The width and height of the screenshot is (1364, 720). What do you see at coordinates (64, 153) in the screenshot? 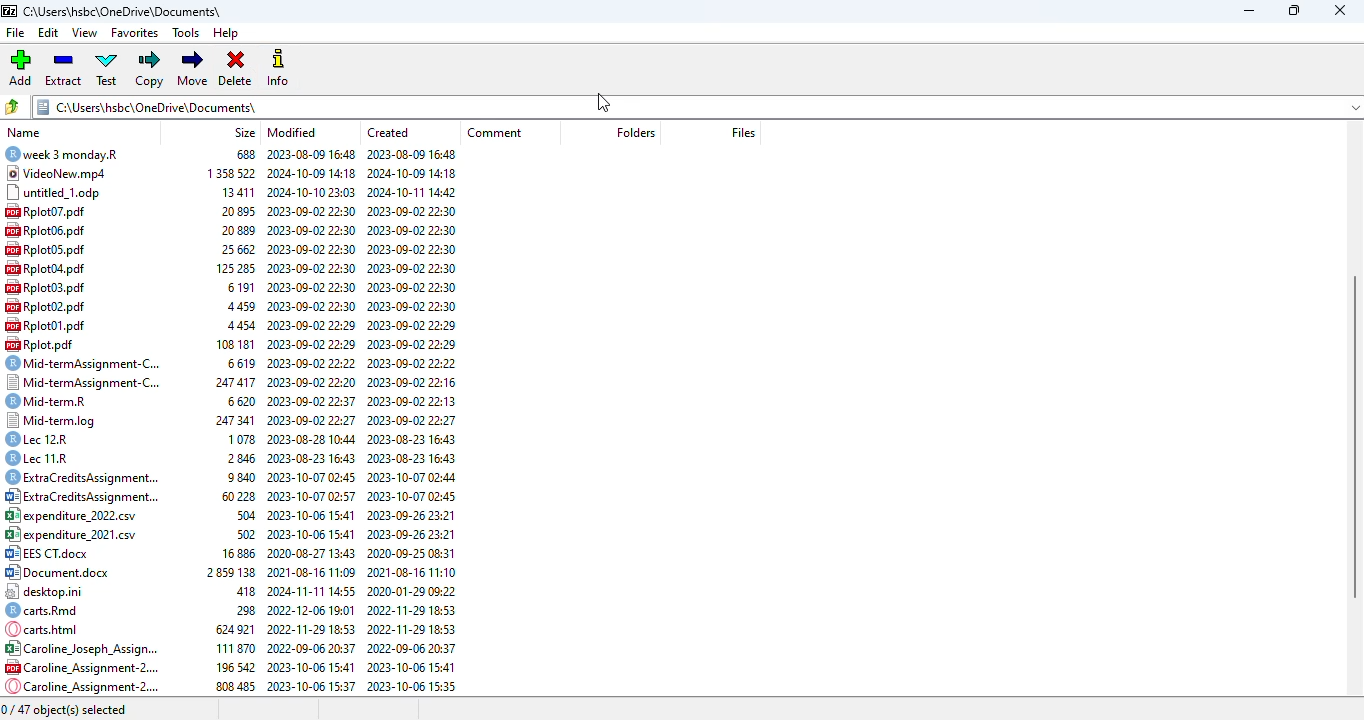
I see `wEEK 3 monday.r` at bounding box center [64, 153].